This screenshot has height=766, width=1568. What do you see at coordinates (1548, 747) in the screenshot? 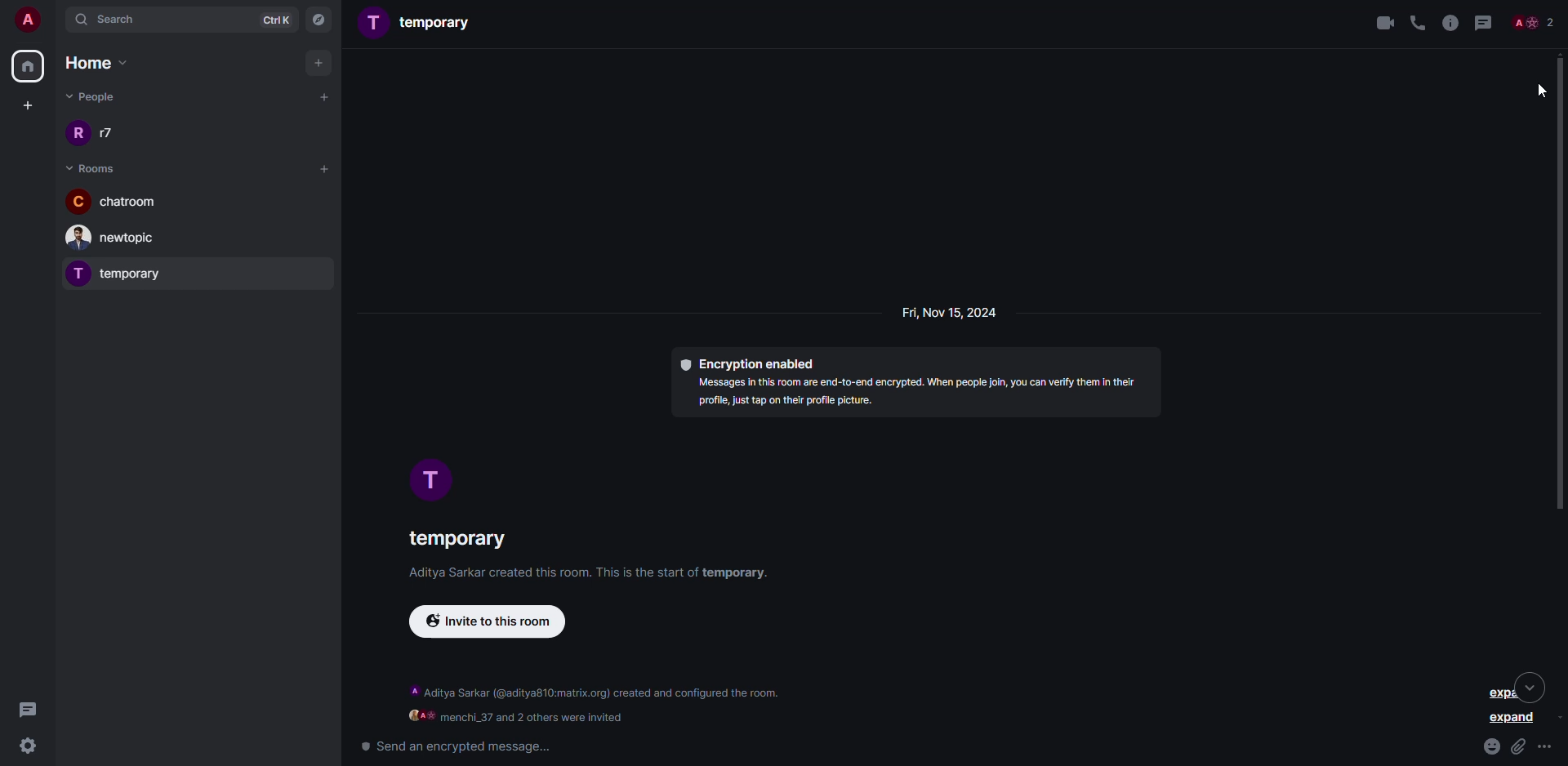
I see `more` at bounding box center [1548, 747].